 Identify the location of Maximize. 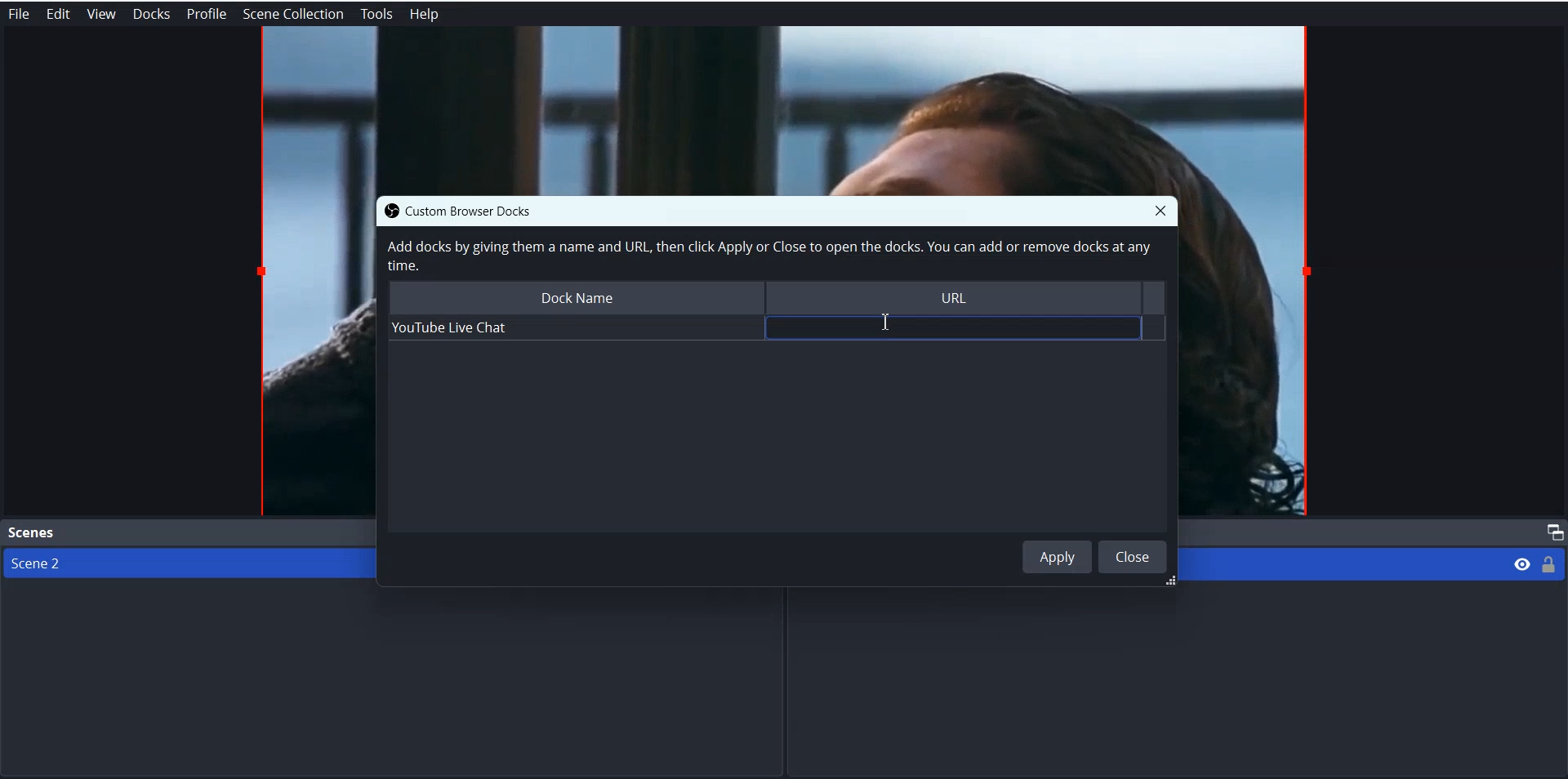
(1552, 532).